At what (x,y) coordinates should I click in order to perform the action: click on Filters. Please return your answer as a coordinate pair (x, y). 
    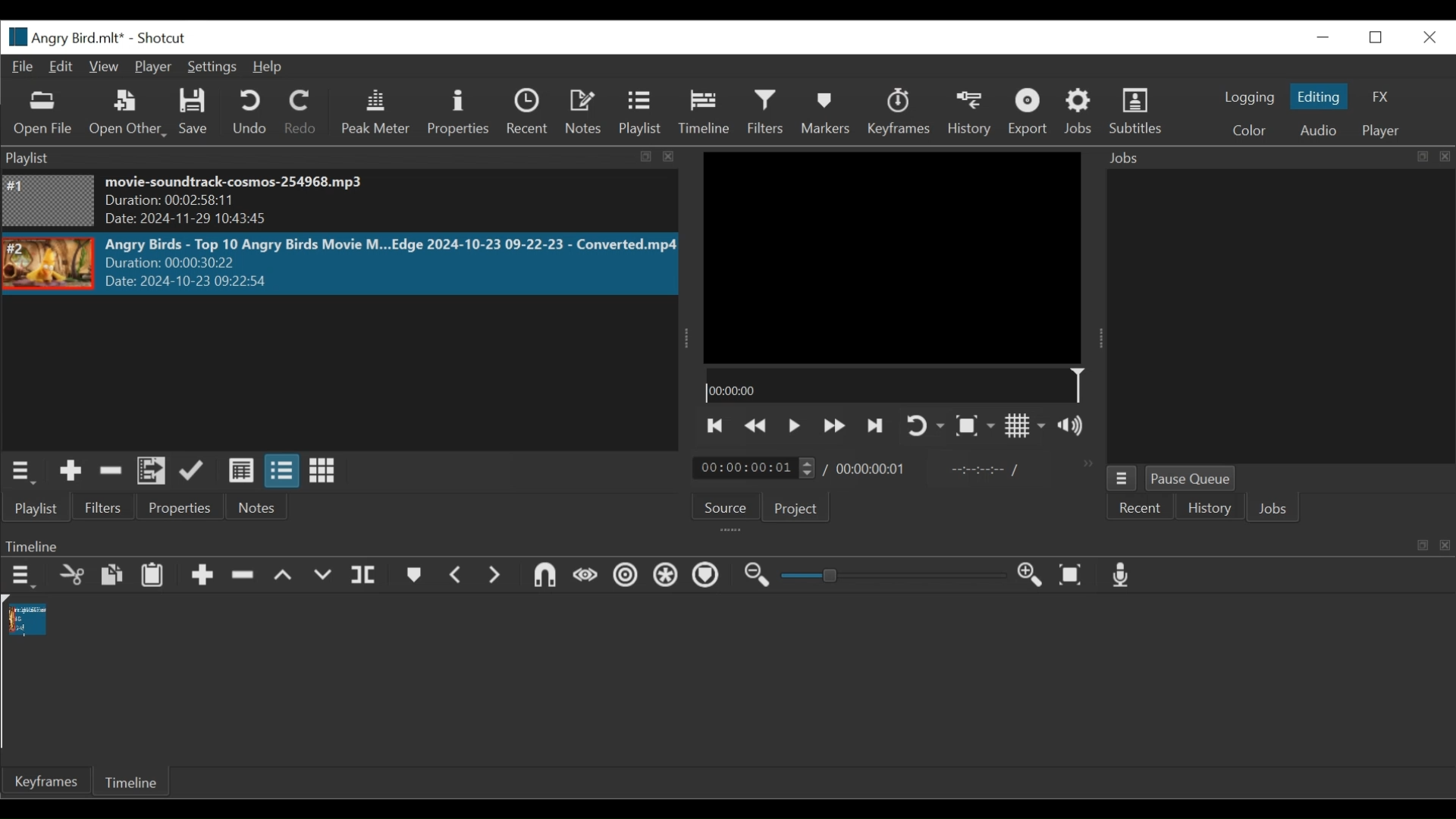
    Looking at the image, I should click on (767, 114).